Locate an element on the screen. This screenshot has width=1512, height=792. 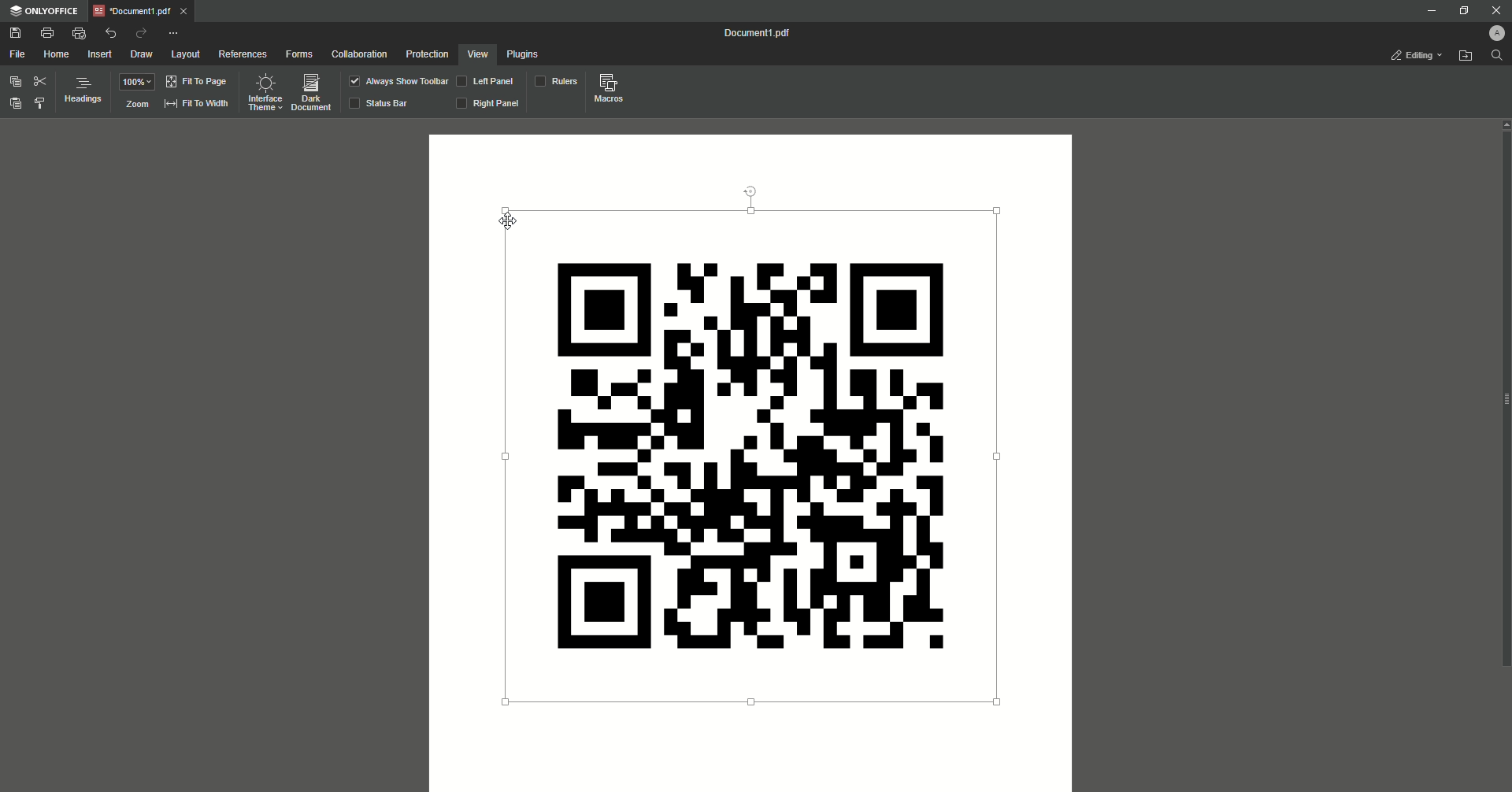
slider is located at coordinates (1492, 399).